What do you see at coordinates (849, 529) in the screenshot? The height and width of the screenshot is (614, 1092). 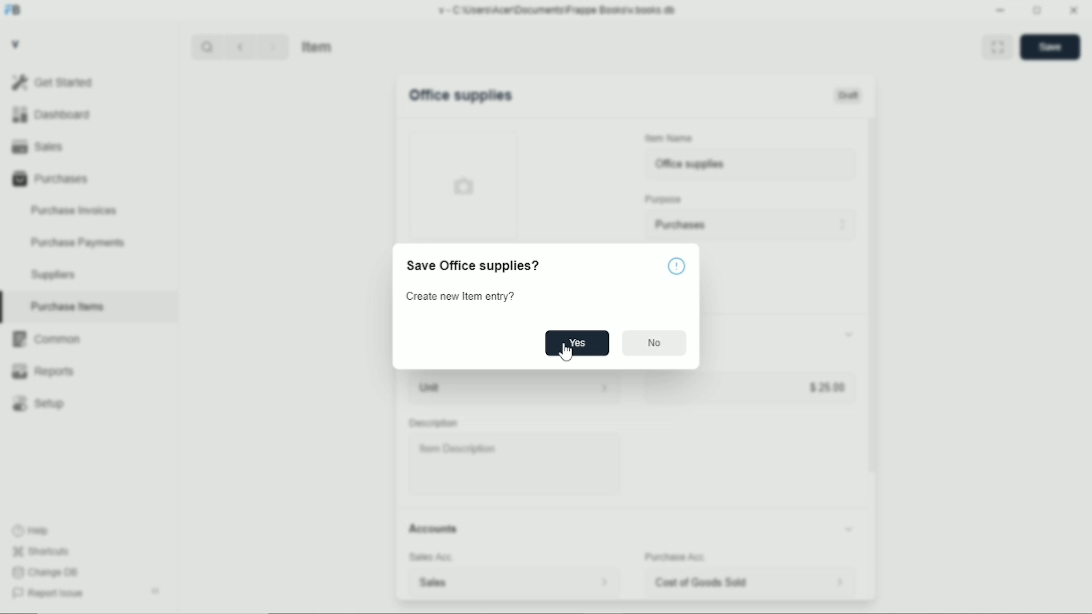 I see `toggle expand/collapse` at bounding box center [849, 529].